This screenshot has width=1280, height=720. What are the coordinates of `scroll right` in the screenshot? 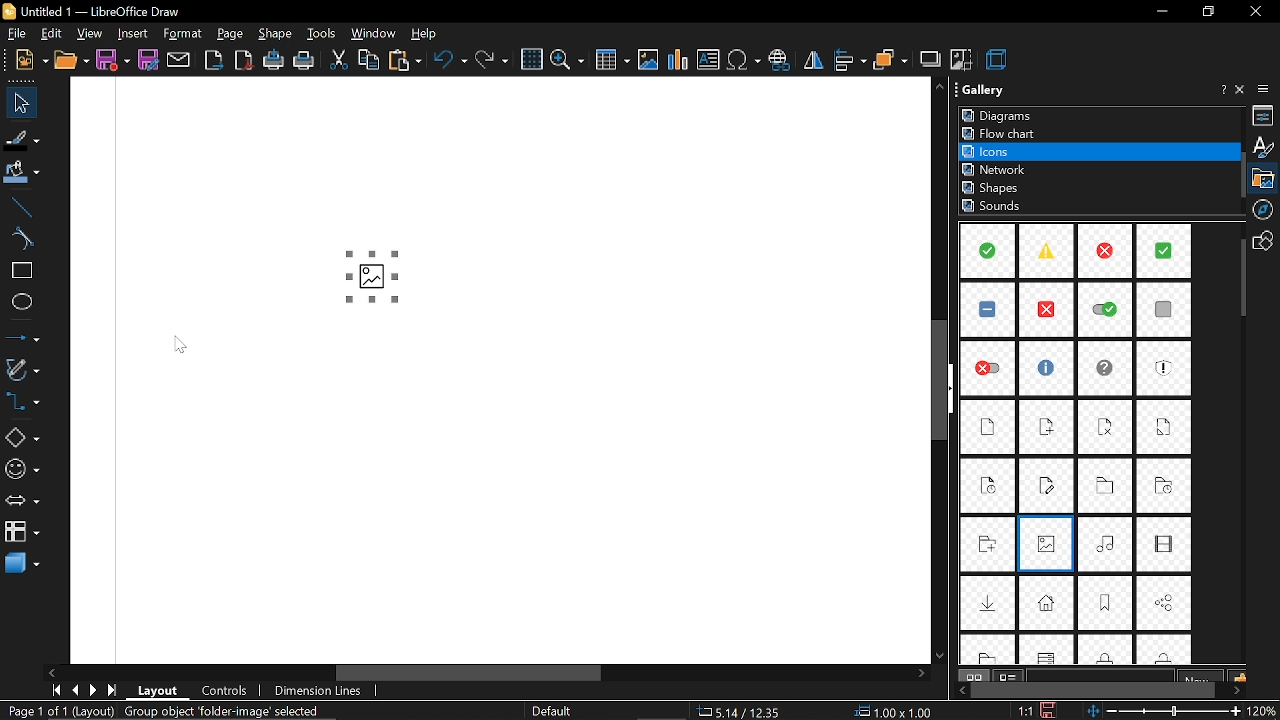 It's located at (918, 673).